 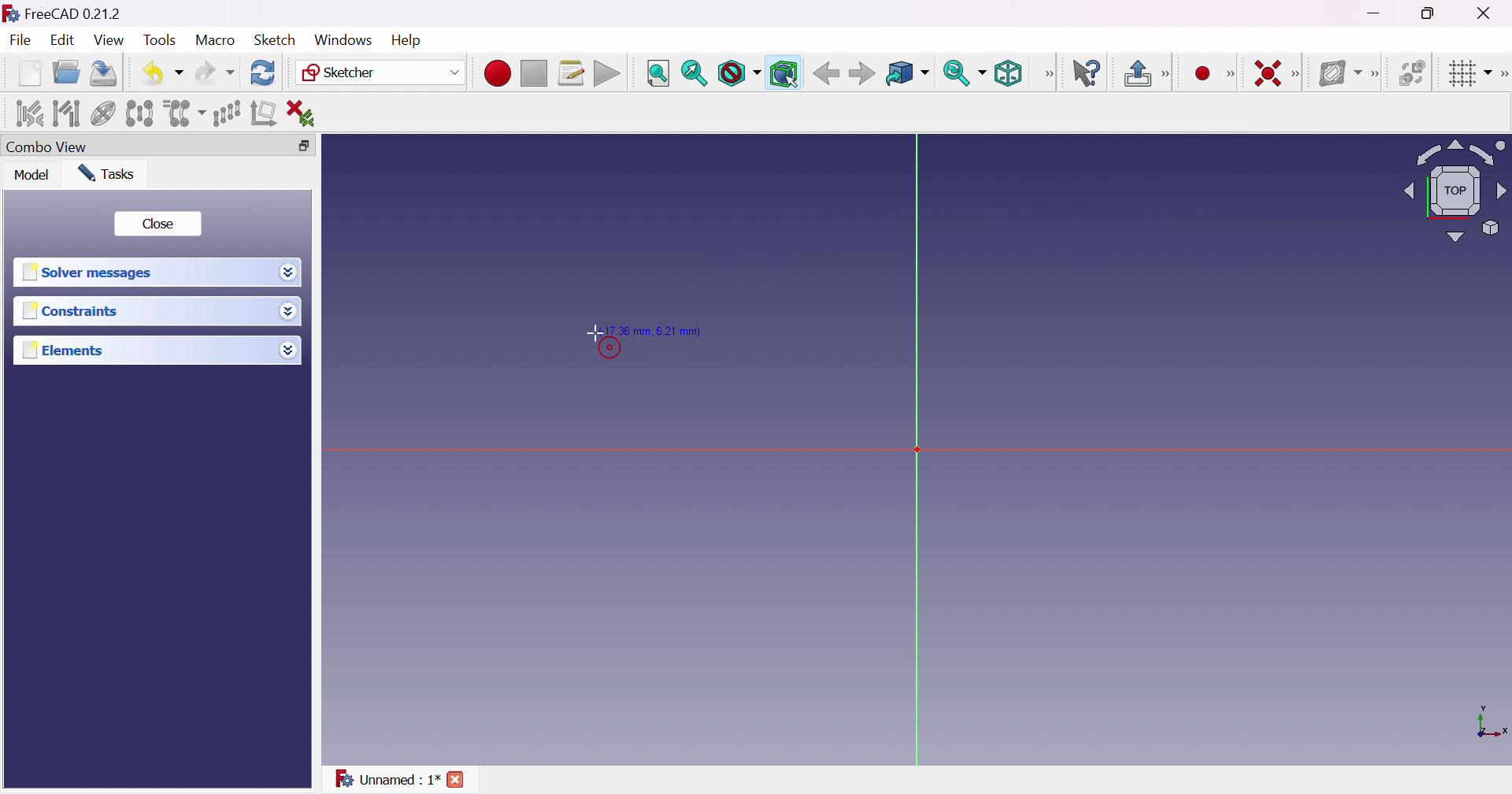 I want to click on Minimize, so click(x=1374, y=13).